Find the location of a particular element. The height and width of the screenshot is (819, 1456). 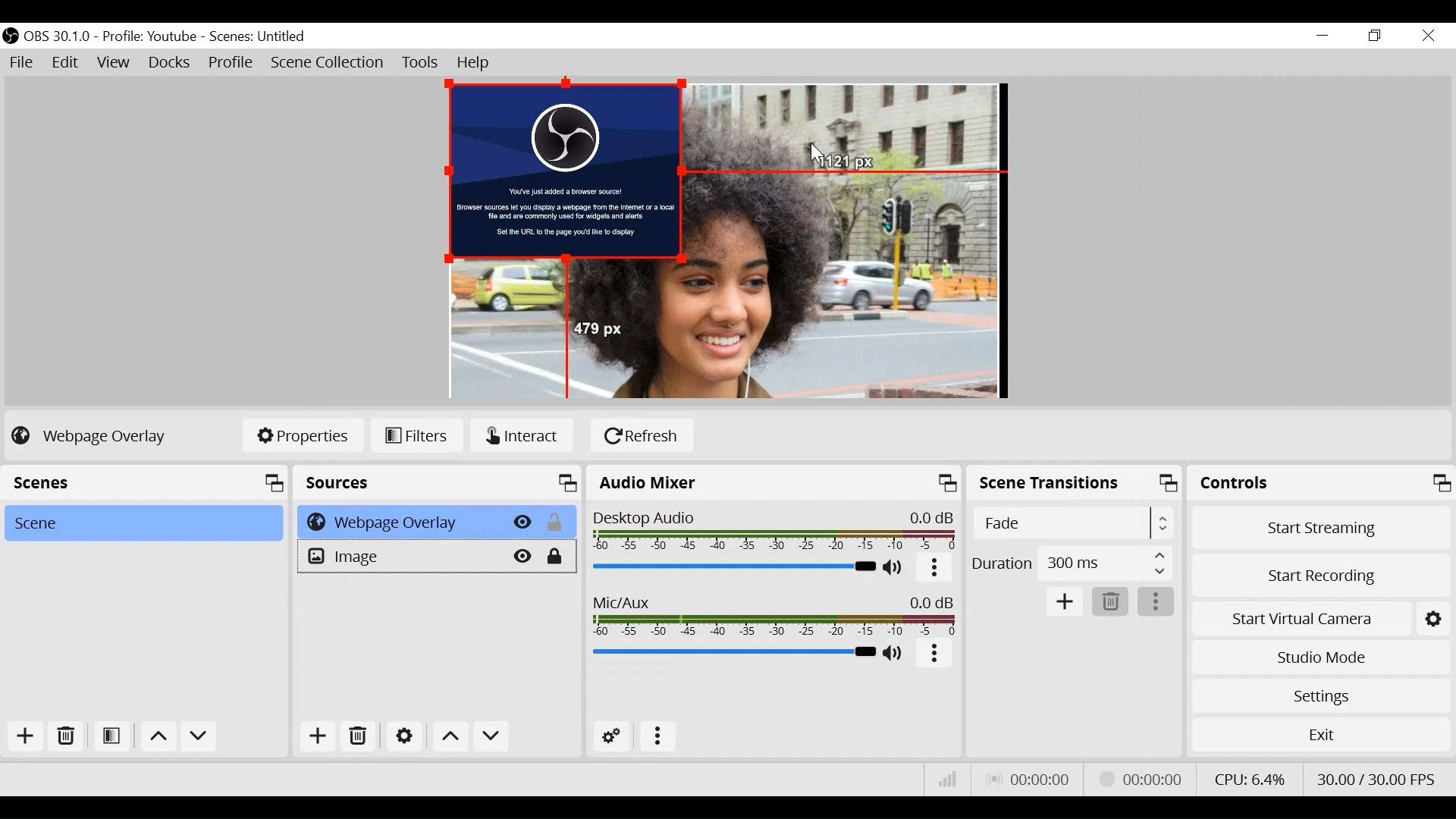

Profile is located at coordinates (149, 37).